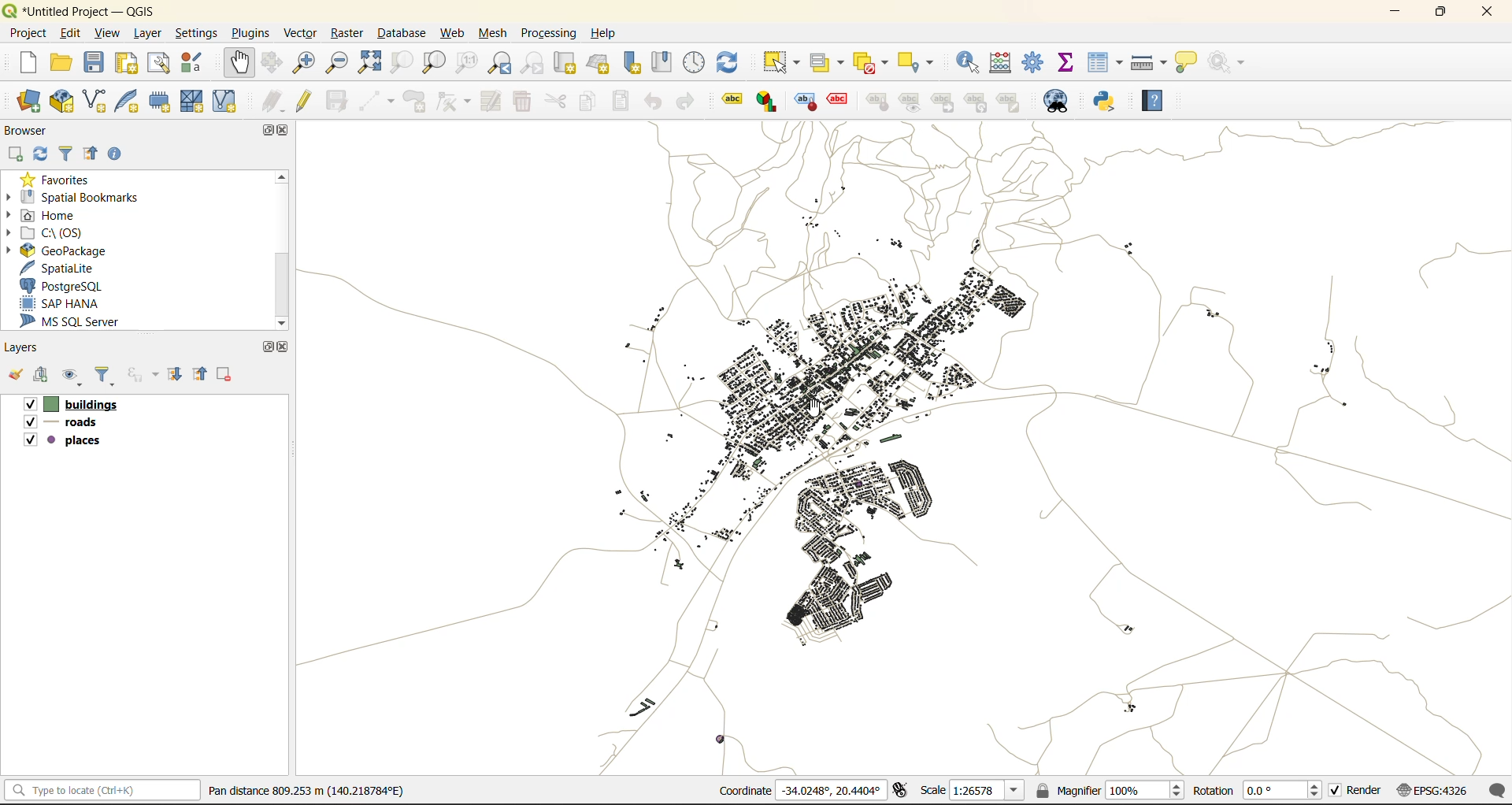 Image resolution: width=1512 pixels, height=805 pixels. What do you see at coordinates (462, 65) in the screenshot?
I see `zoom native` at bounding box center [462, 65].